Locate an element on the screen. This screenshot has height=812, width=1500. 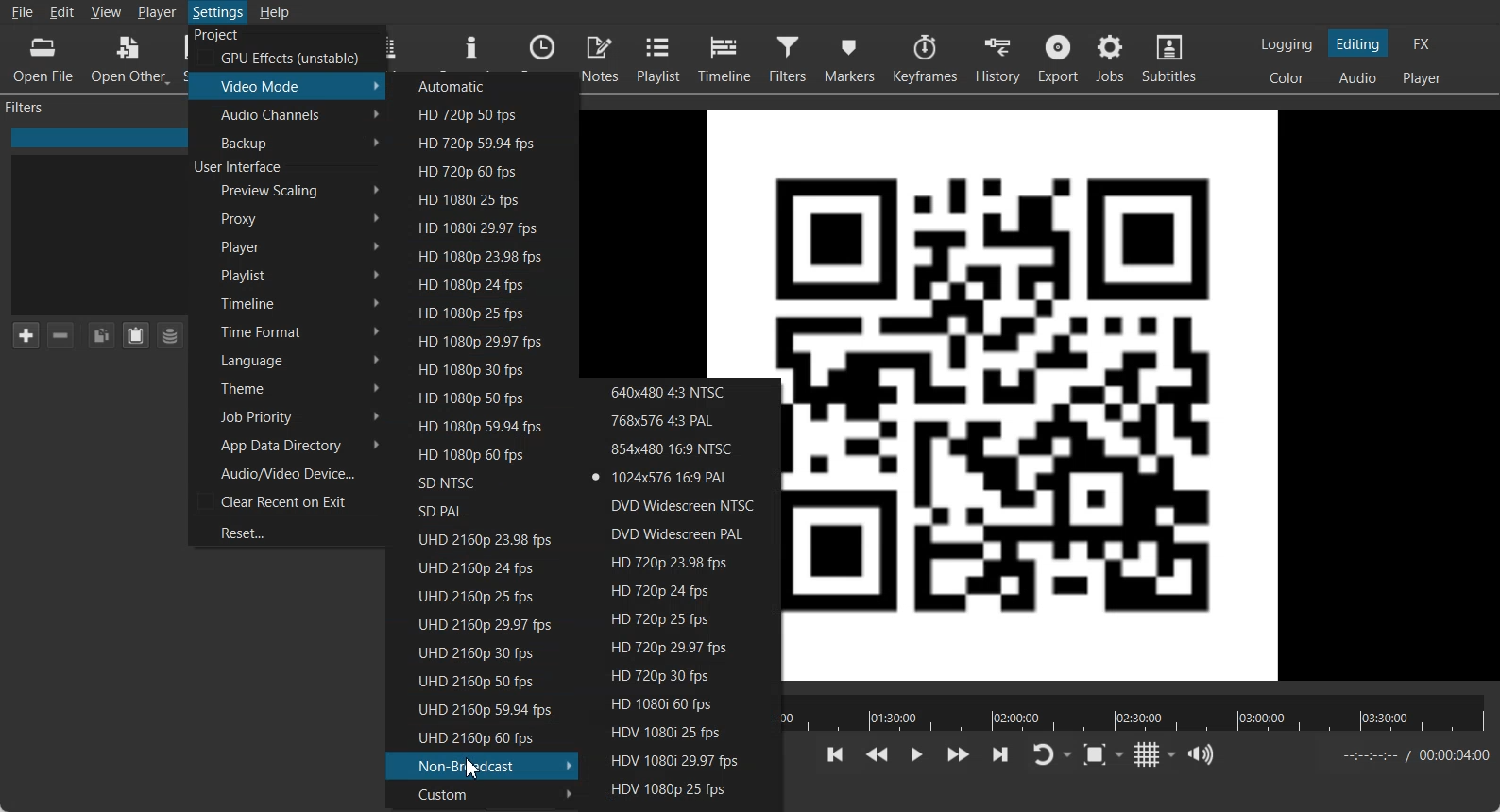
History is located at coordinates (997, 59).